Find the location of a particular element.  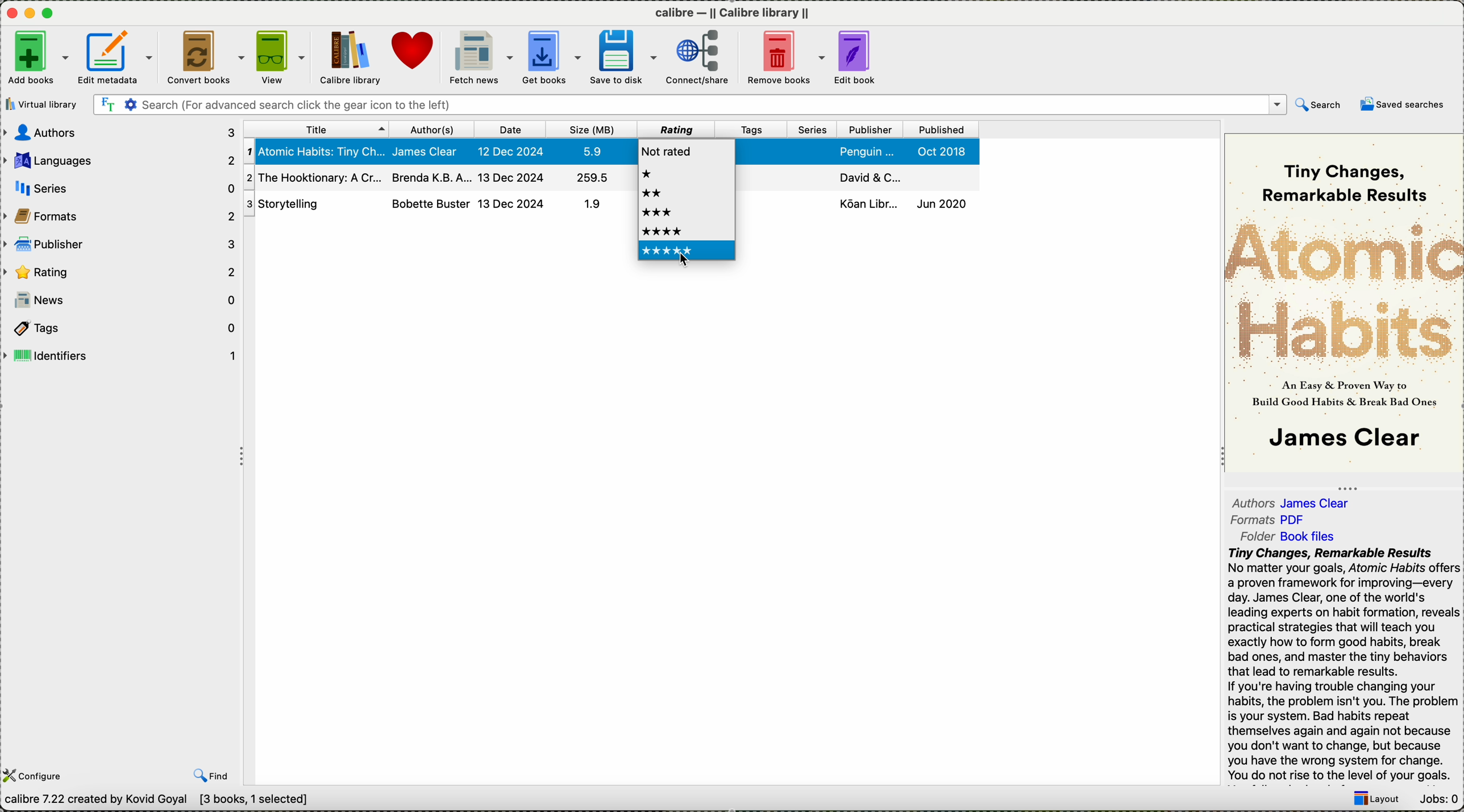

tags is located at coordinates (750, 128).